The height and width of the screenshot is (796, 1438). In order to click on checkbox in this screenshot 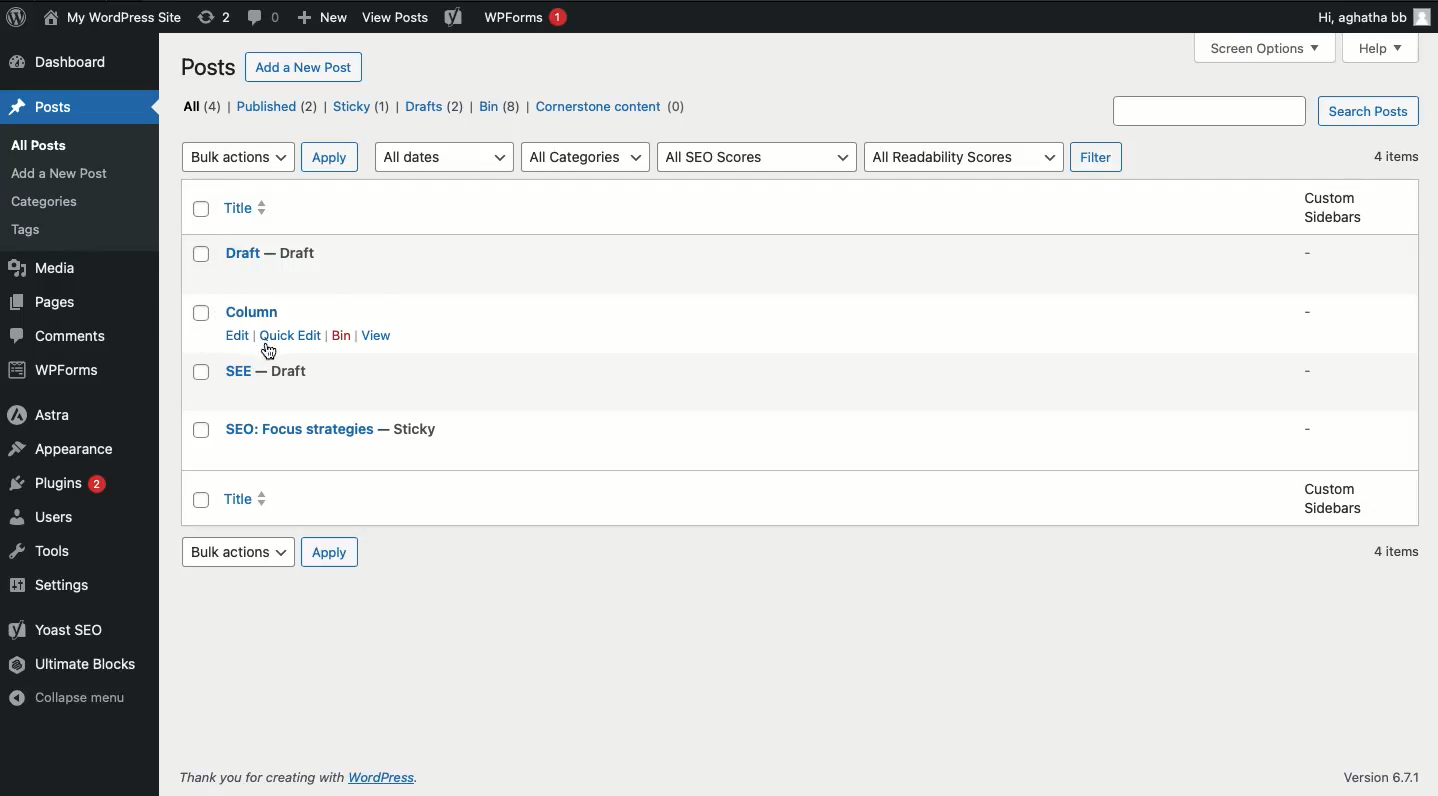, I will do `click(201, 372)`.